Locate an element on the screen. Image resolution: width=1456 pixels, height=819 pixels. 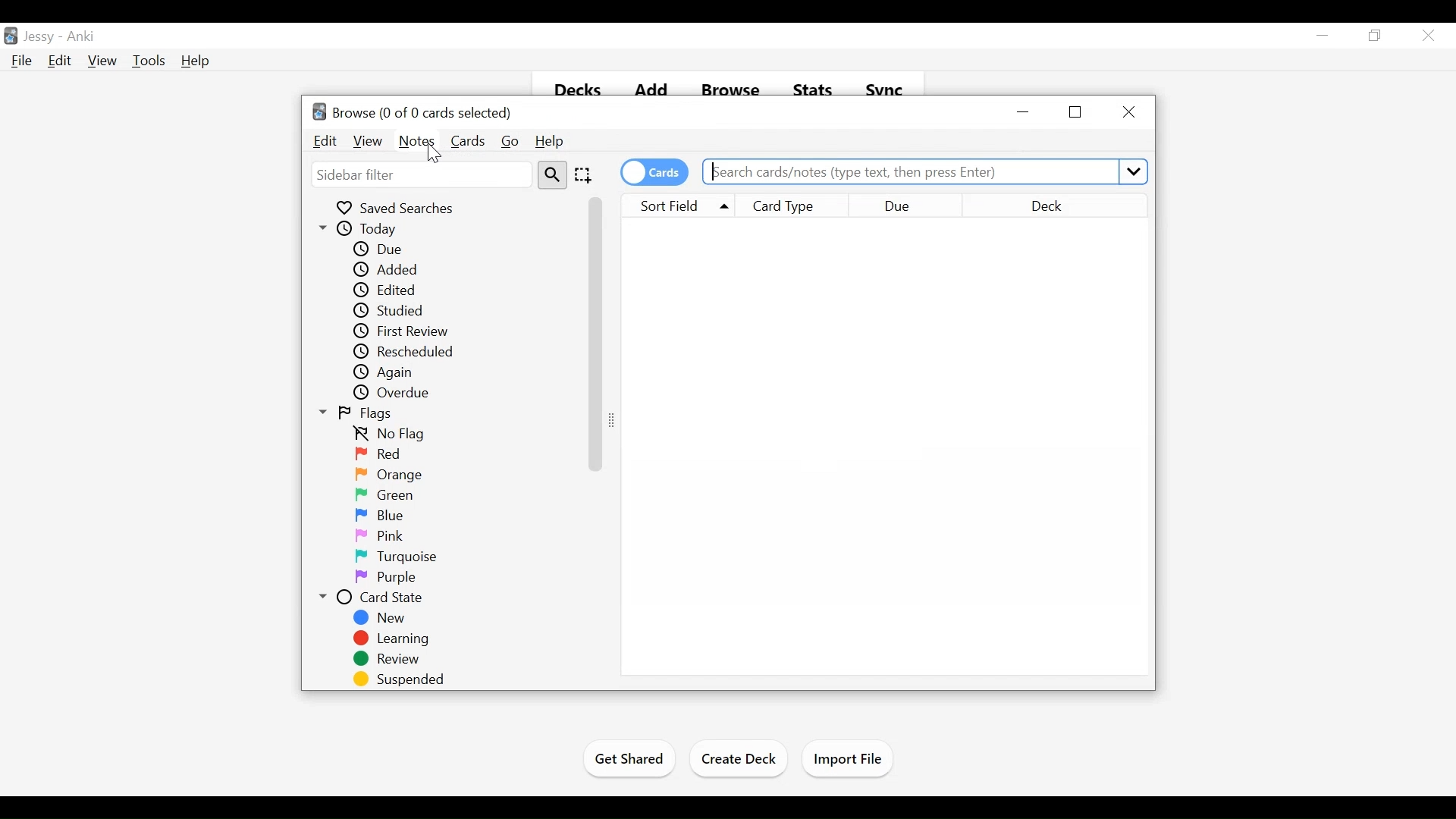
Get Shared is located at coordinates (627, 761).